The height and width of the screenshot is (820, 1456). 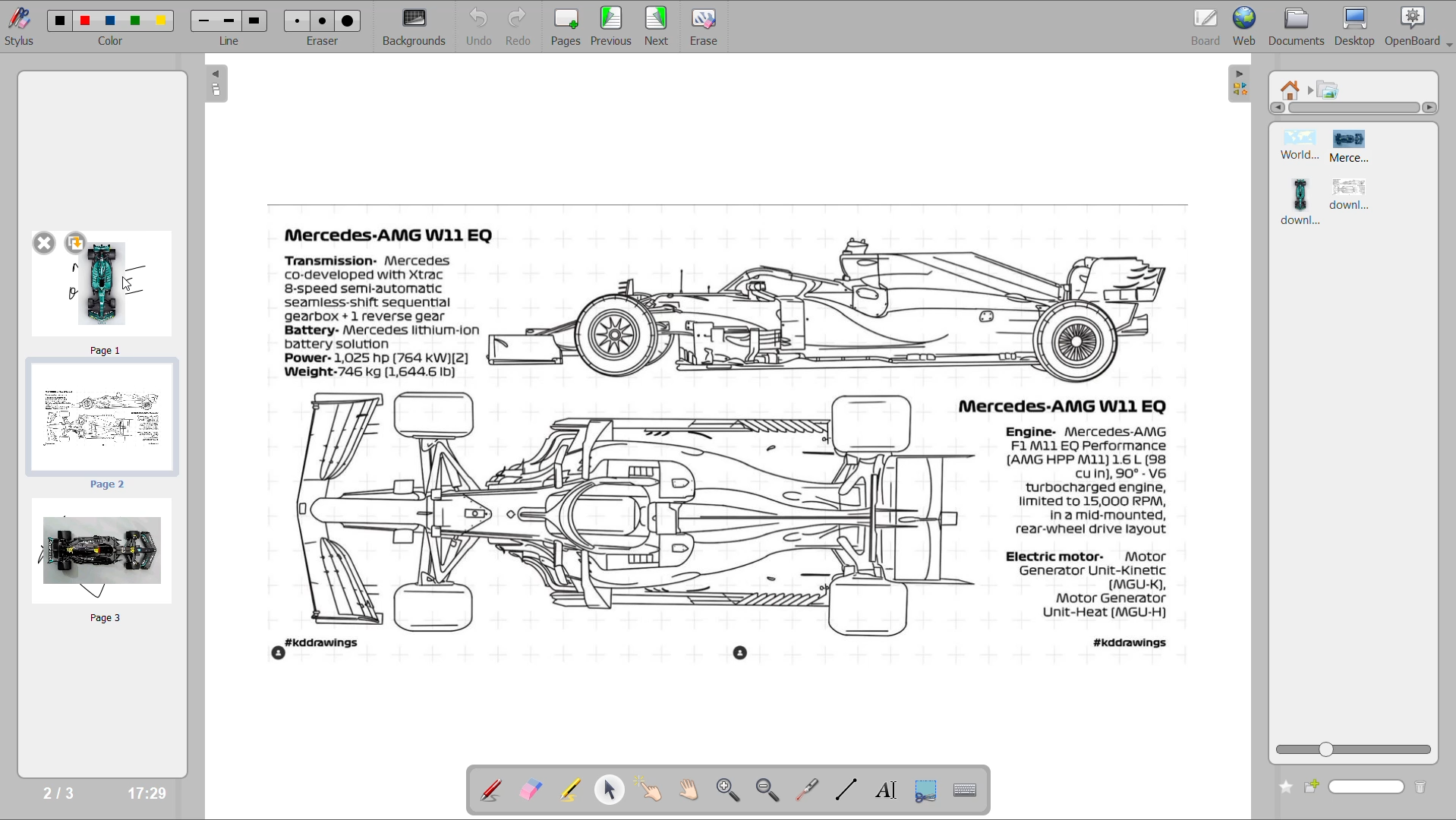 What do you see at coordinates (1093, 601) in the screenshot?
I see `J Electric motor- ~~ Motor
Cl Generator Unit-Kinetic
— (MGU-K),
Motor Generator

Unit-Heat (MGU-H)

#kddrawings` at bounding box center [1093, 601].